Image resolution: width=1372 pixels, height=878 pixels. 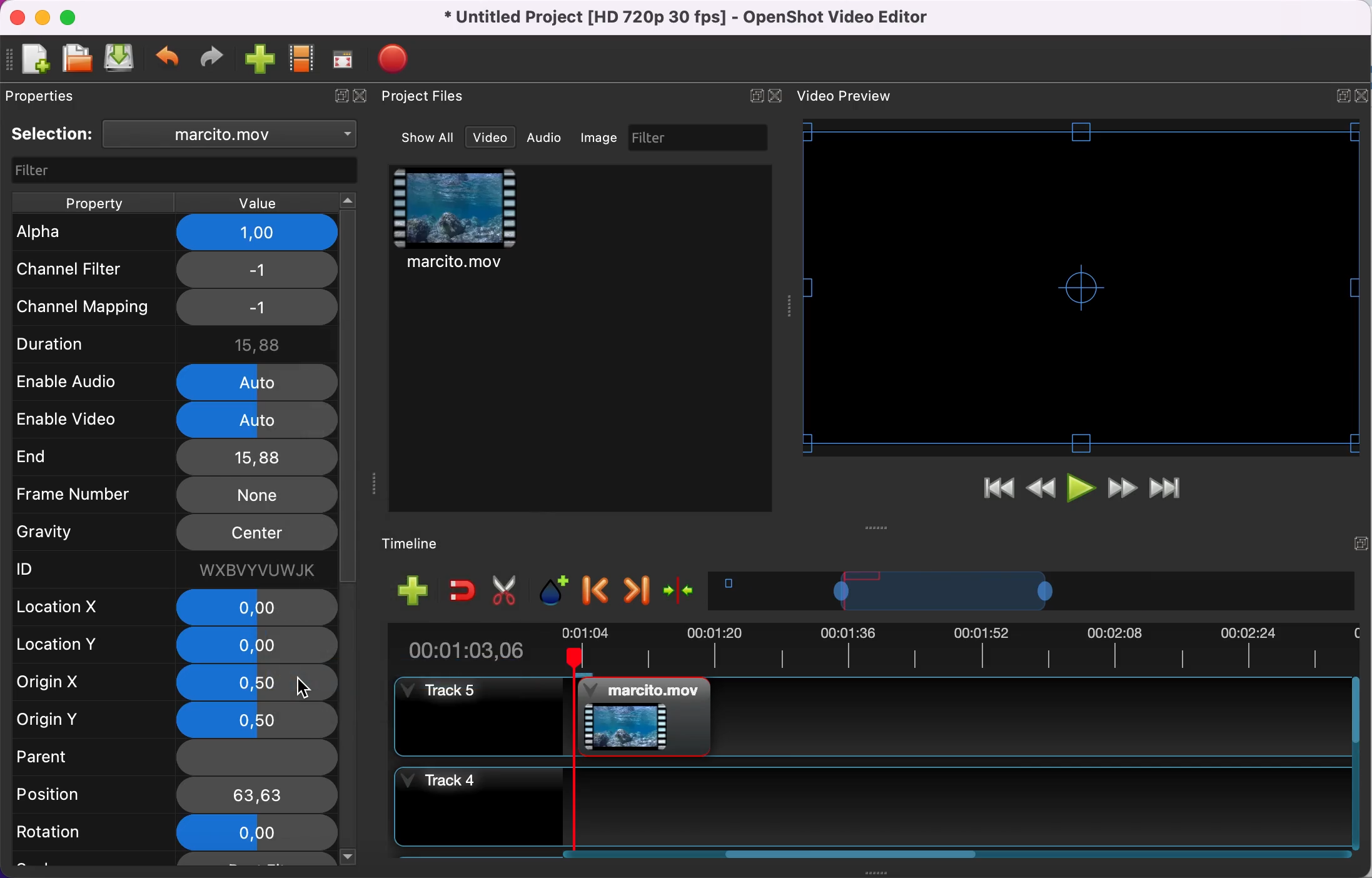 I want to click on choose profile, so click(x=303, y=59).